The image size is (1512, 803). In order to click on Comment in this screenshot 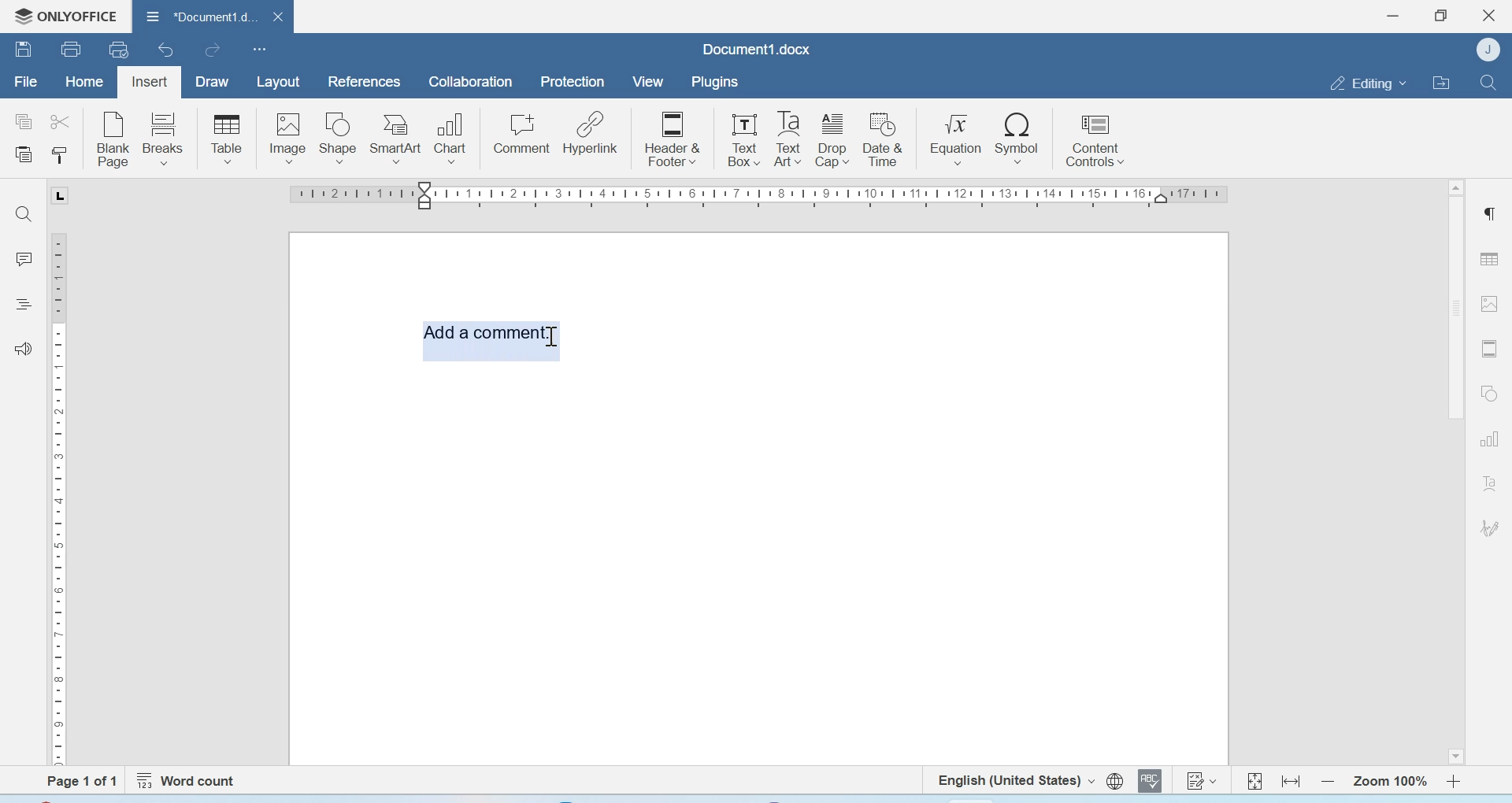, I will do `click(522, 134)`.